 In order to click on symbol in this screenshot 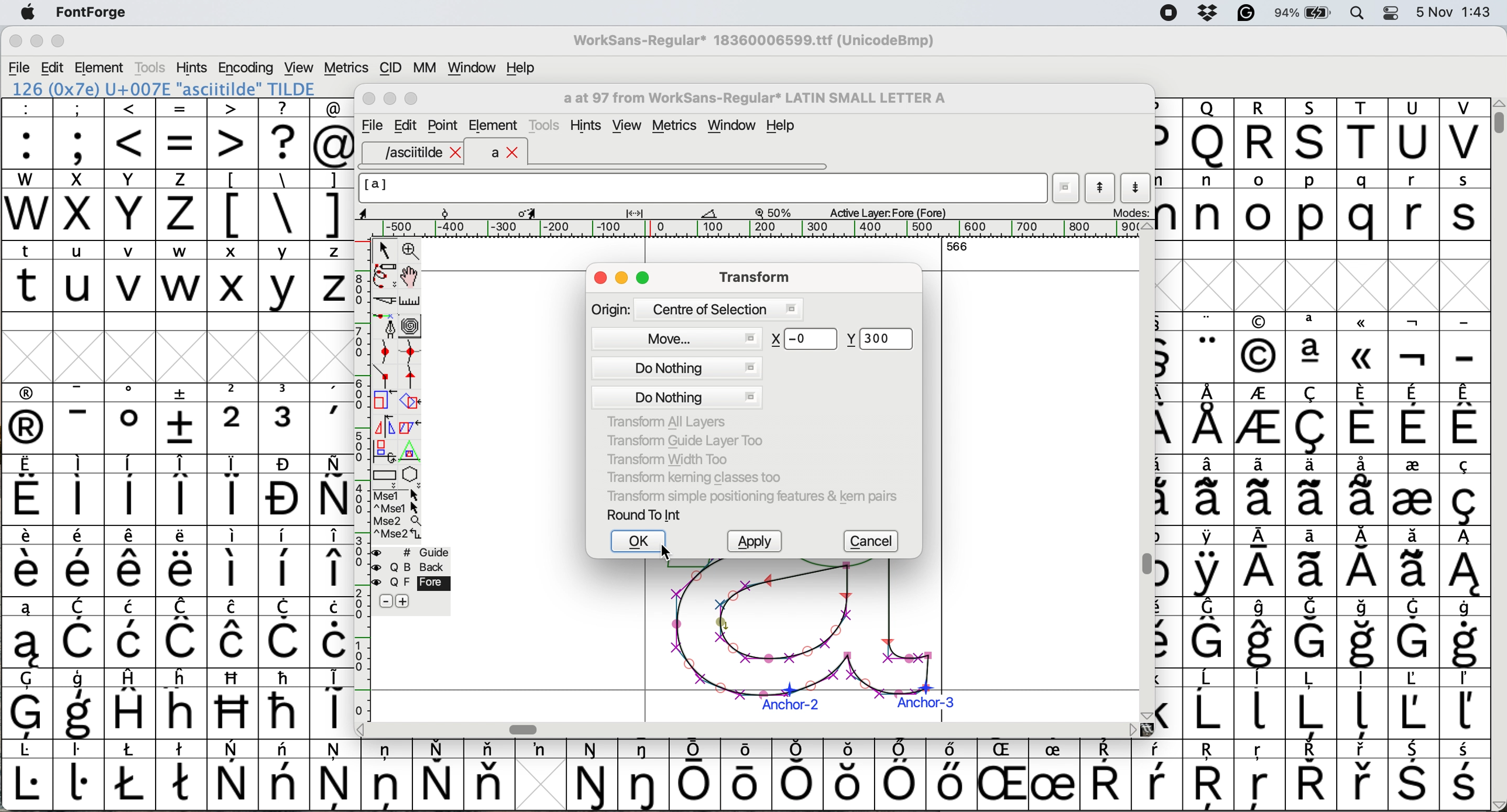, I will do `click(130, 775)`.